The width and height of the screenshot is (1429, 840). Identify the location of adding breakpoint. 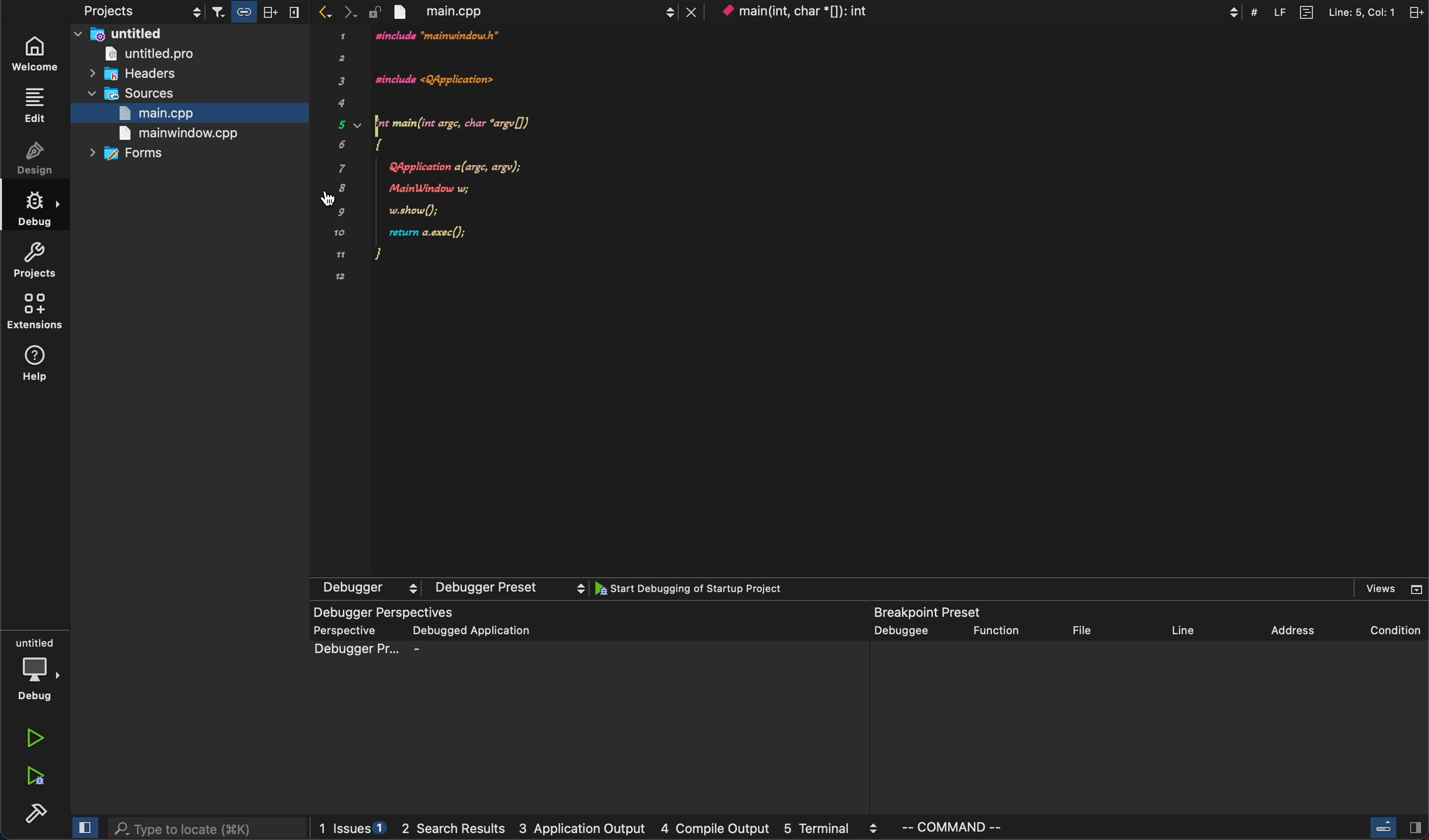
(327, 201).